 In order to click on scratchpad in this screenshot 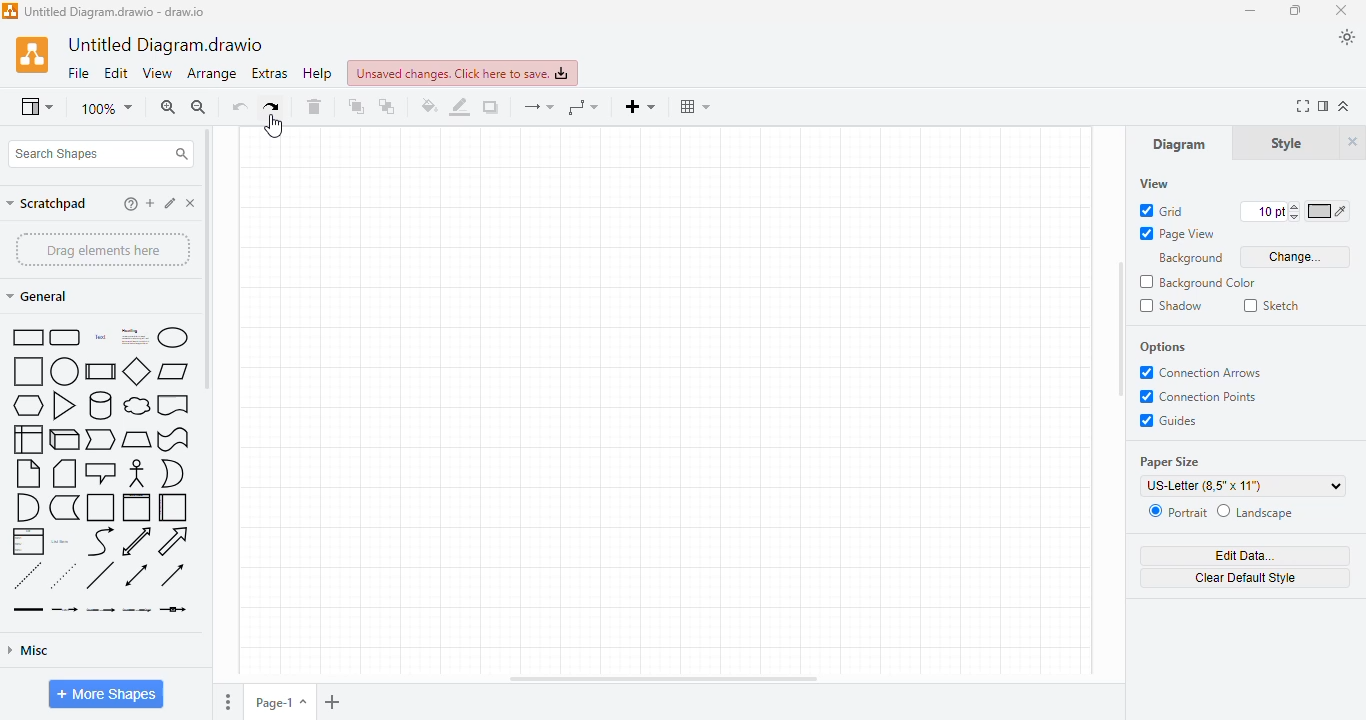, I will do `click(47, 203)`.